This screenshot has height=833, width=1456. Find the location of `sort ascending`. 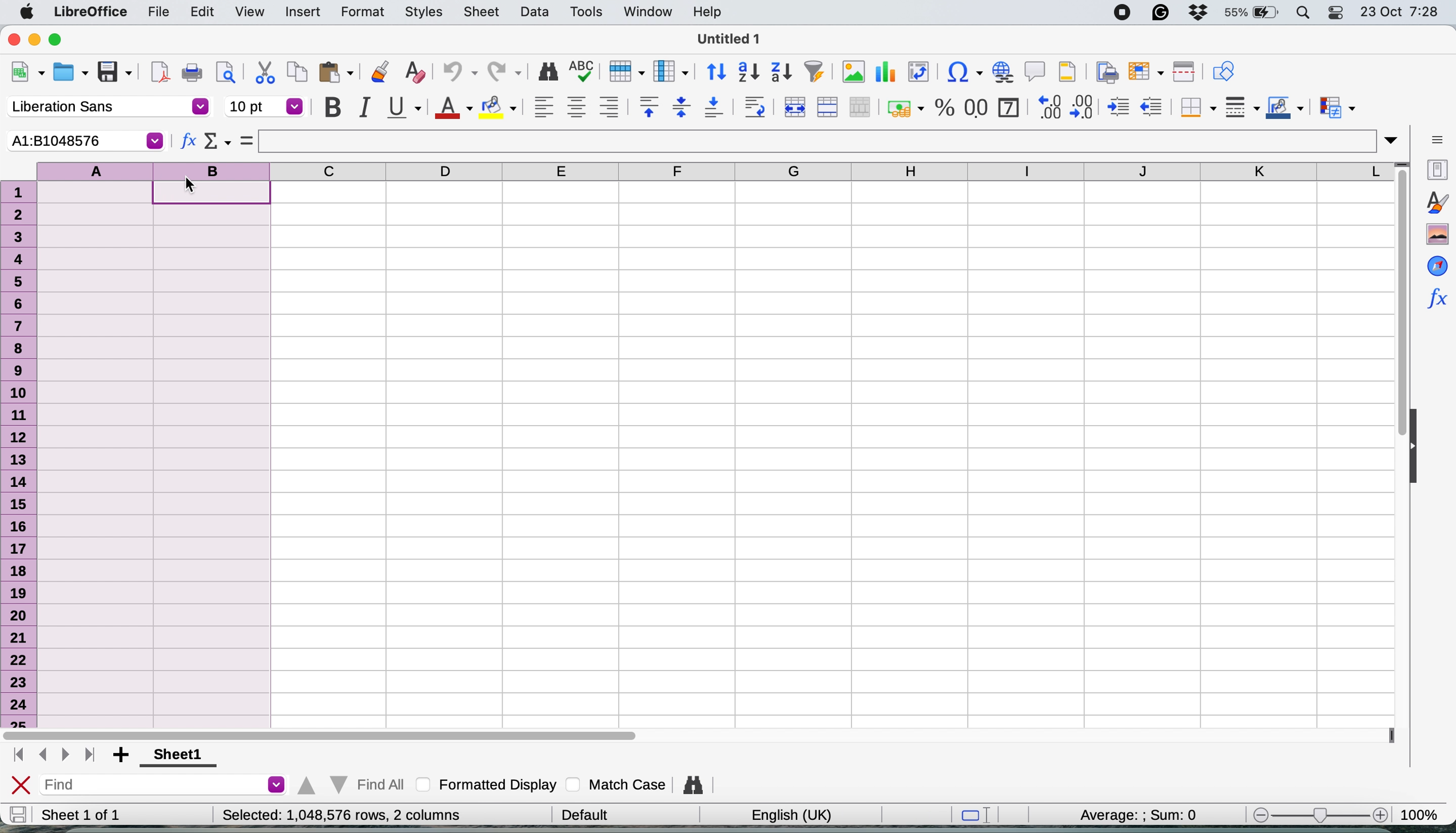

sort ascending is located at coordinates (749, 72).